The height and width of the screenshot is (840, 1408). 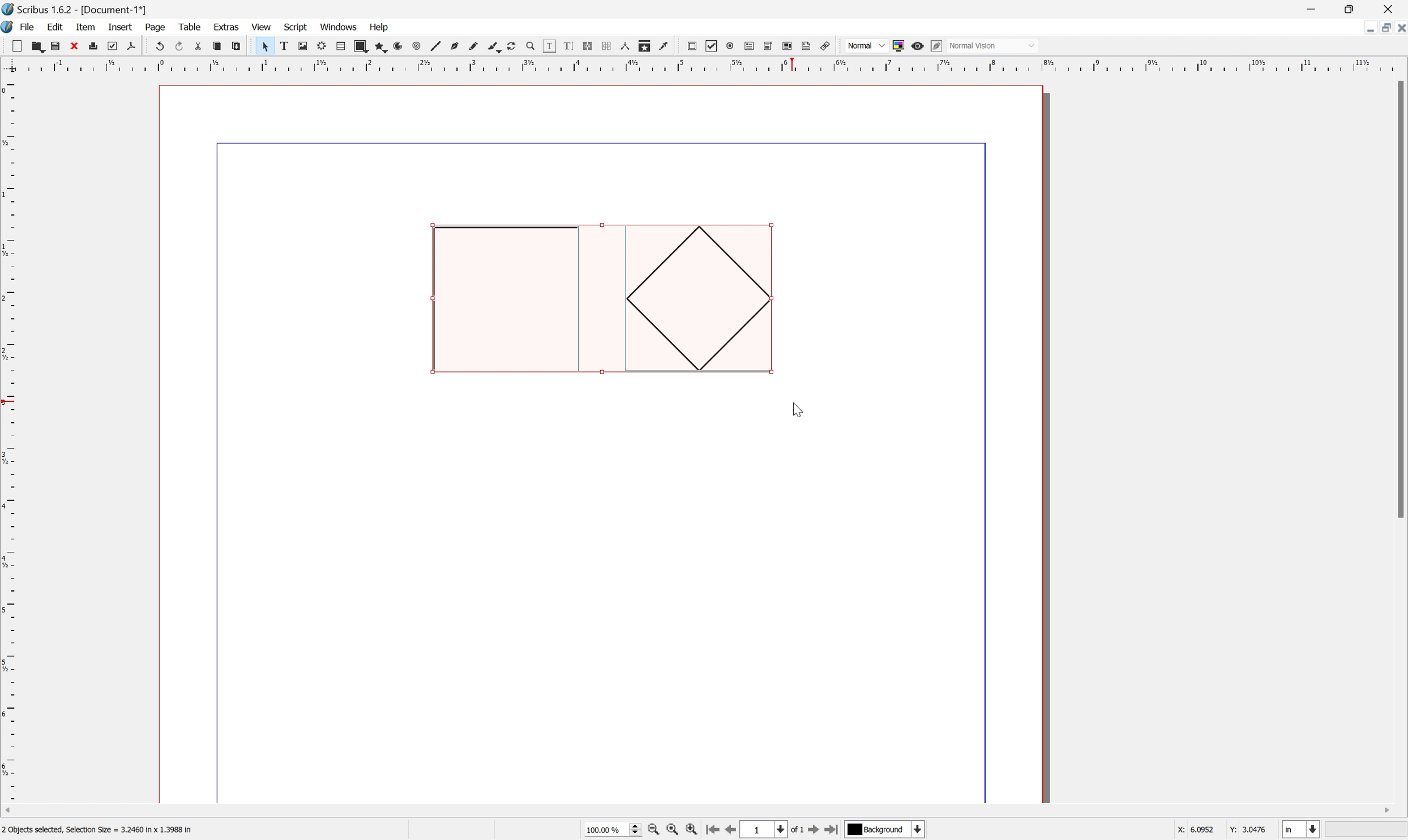 What do you see at coordinates (1392, 8) in the screenshot?
I see `Close` at bounding box center [1392, 8].